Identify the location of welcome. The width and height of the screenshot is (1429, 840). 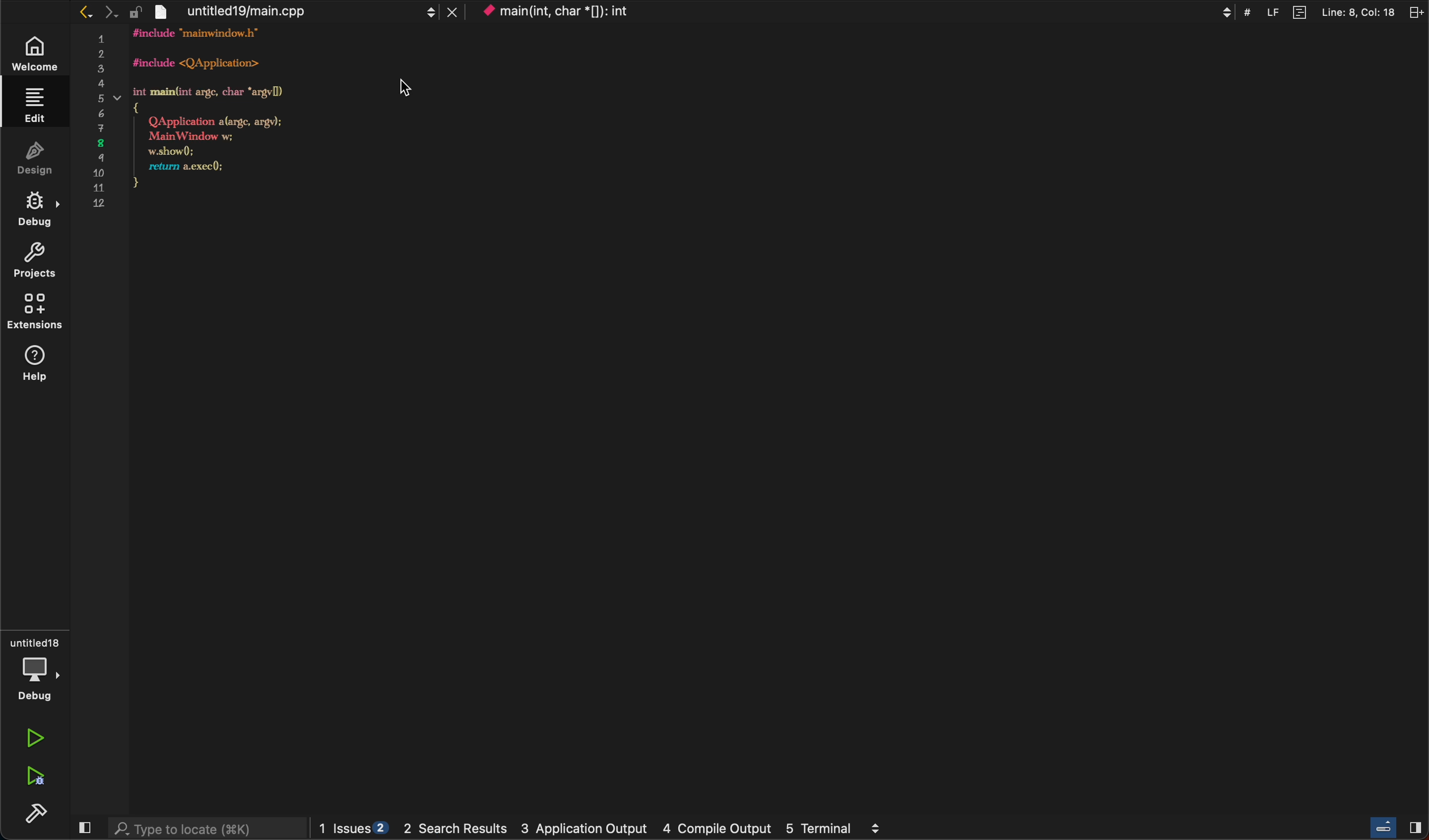
(37, 56).